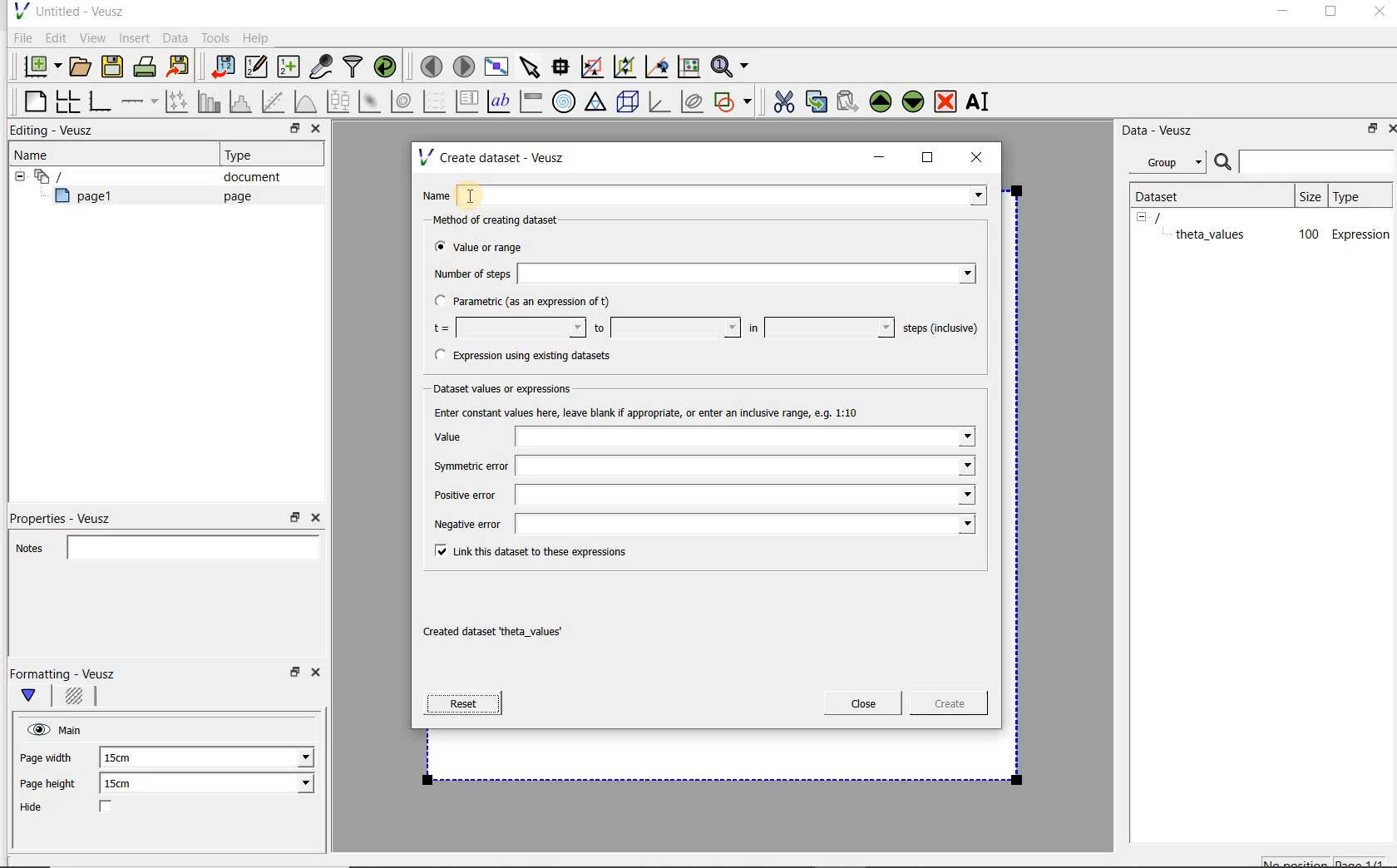 Image resolution: width=1397 pixels, height=868 pixels. Describe the element at coordinates (289, 67) in the screenshot. I see `create new datasets using ranges, parametrically or as functions of existing datasets` at that location.